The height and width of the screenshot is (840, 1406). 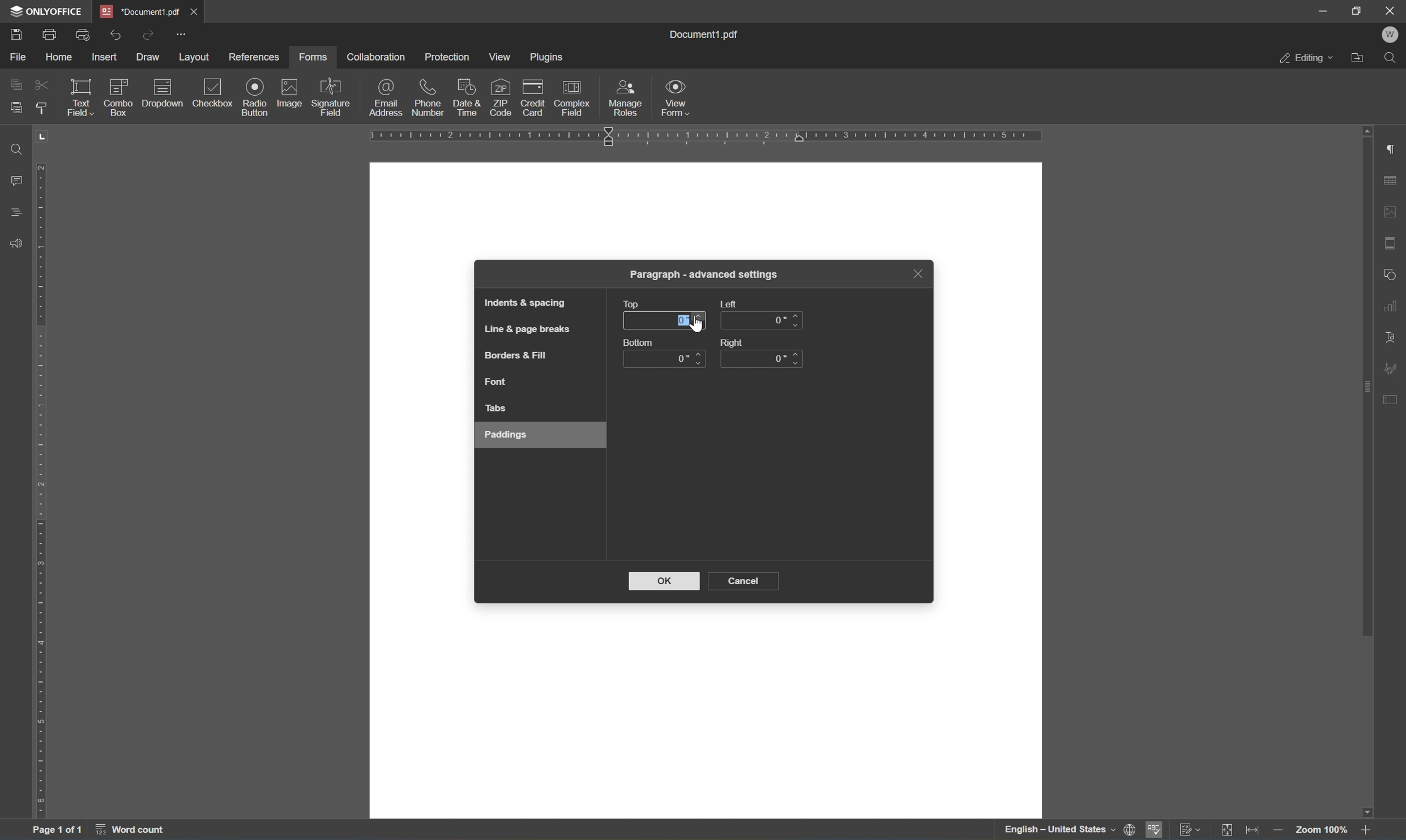 What do you see at coordinates (21, 34) in the screenshot?
I see `save` at bounding box center [21, 34].